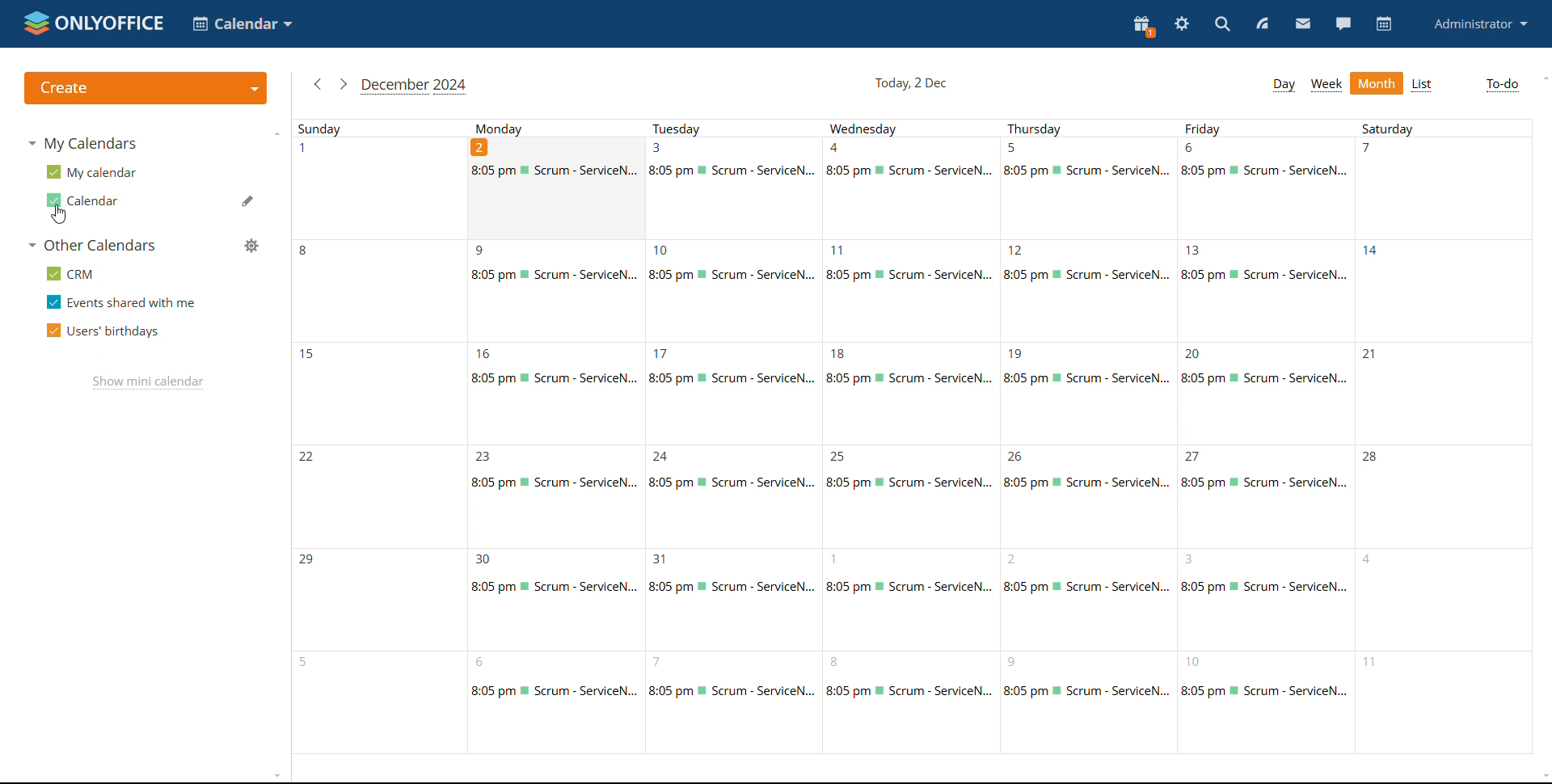  What do you see at coordinates (1222, 25) in the screenshot?
I see `search` at bounding box center [1222, 25].